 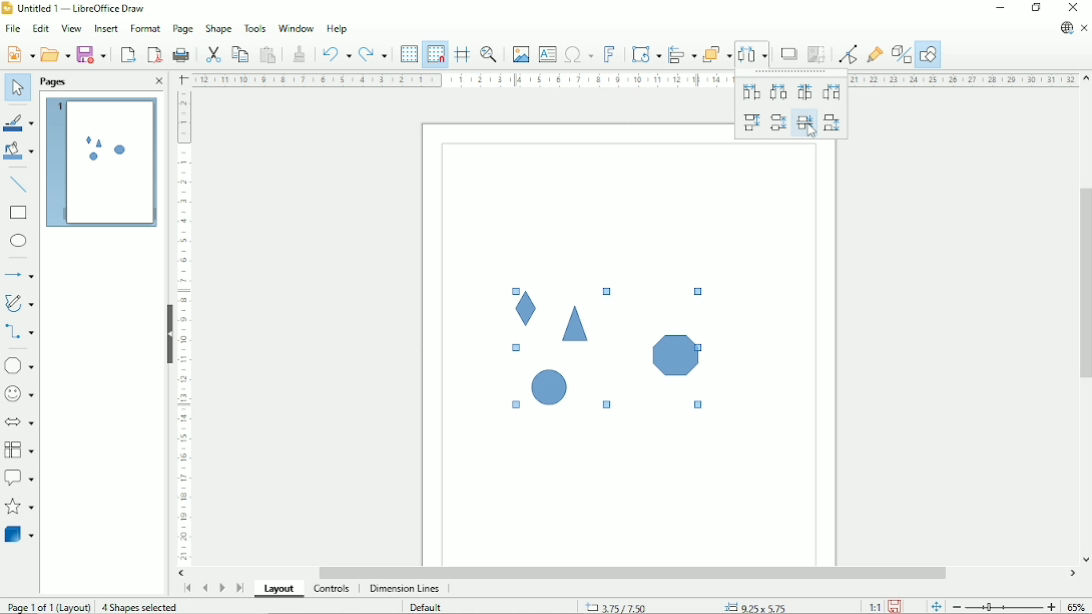 I want to click on Insert image, so click(x=520, y=53).